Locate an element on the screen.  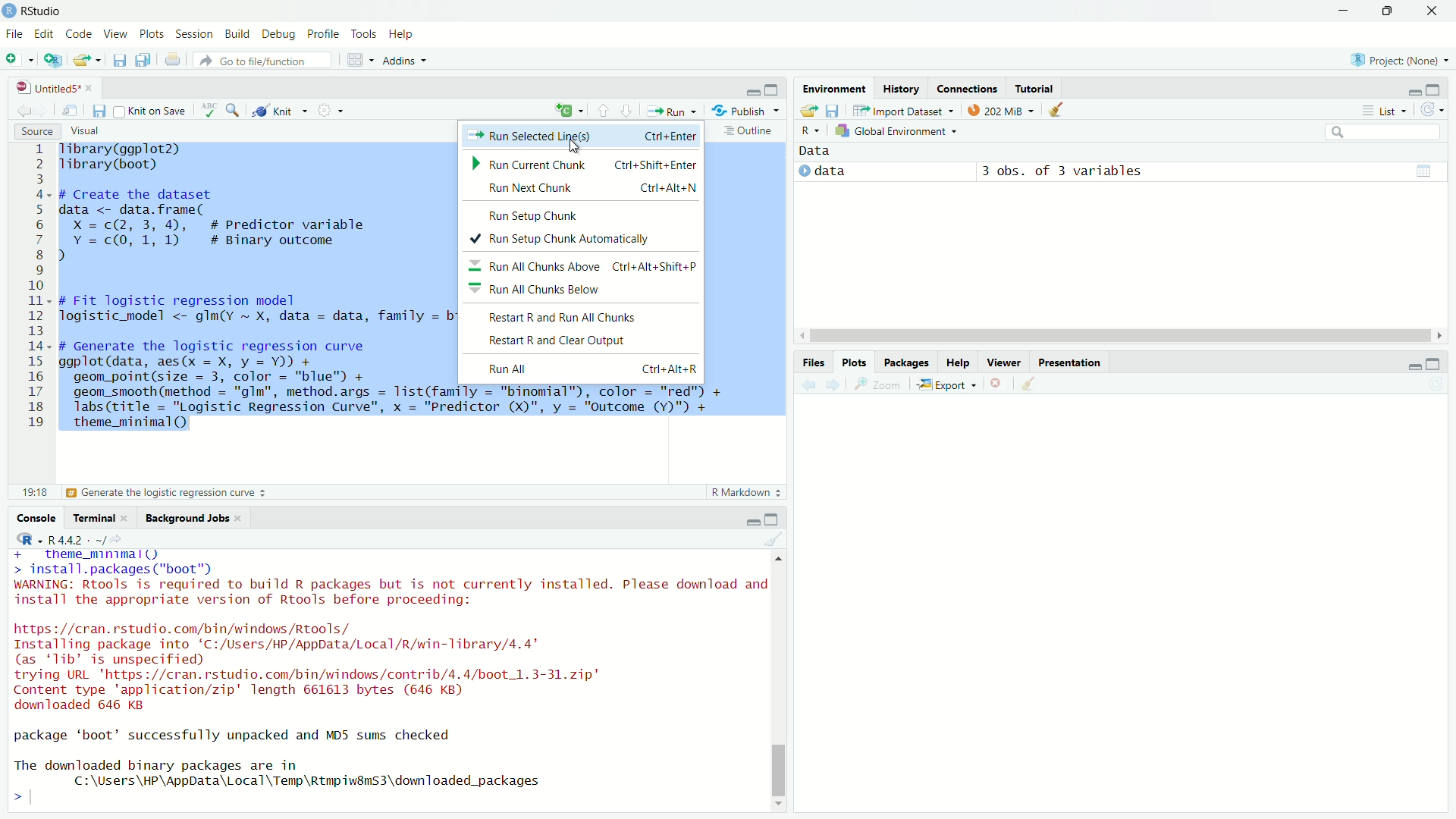
Run is located at coordinates (672, 110).